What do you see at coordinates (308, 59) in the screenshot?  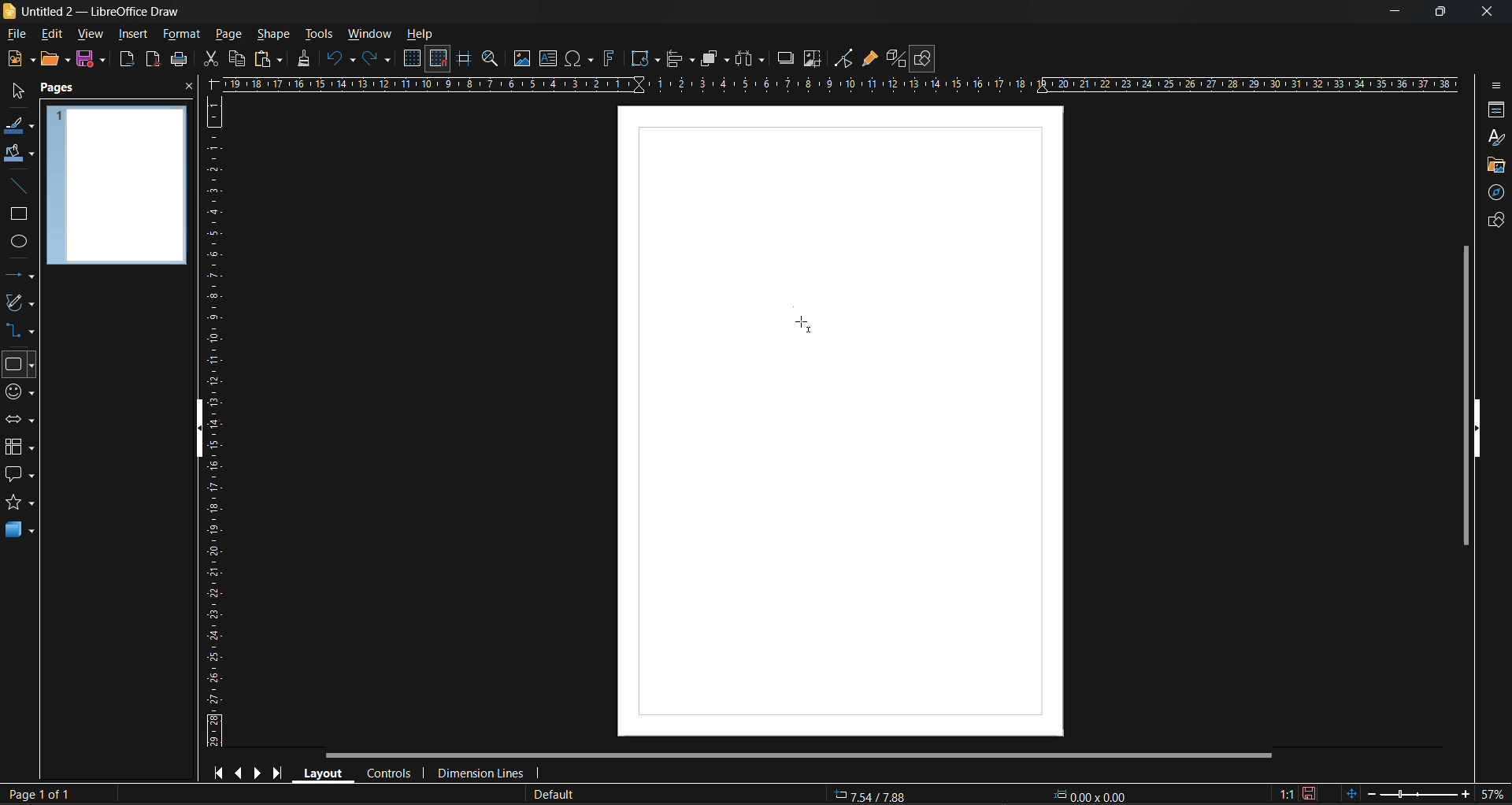 I see `clone formatting` at bounding box center [308, 59].